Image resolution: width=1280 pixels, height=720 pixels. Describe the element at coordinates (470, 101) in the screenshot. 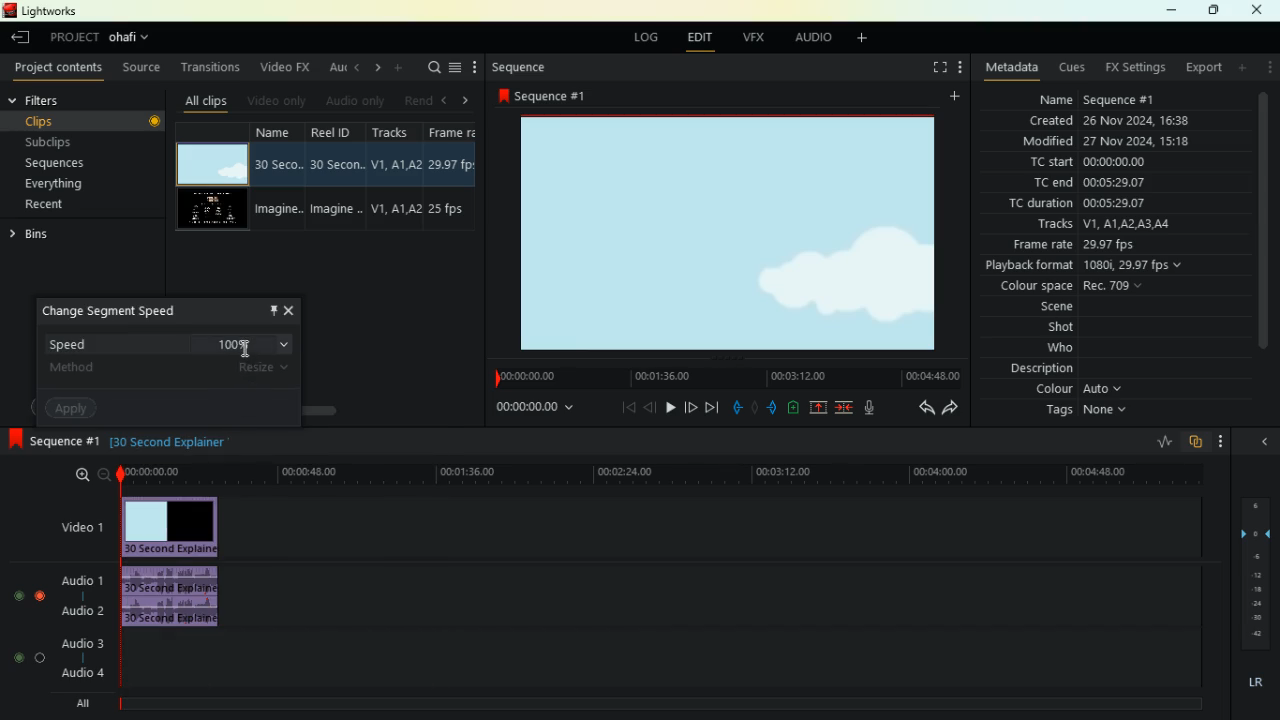

I see `right` at that location.